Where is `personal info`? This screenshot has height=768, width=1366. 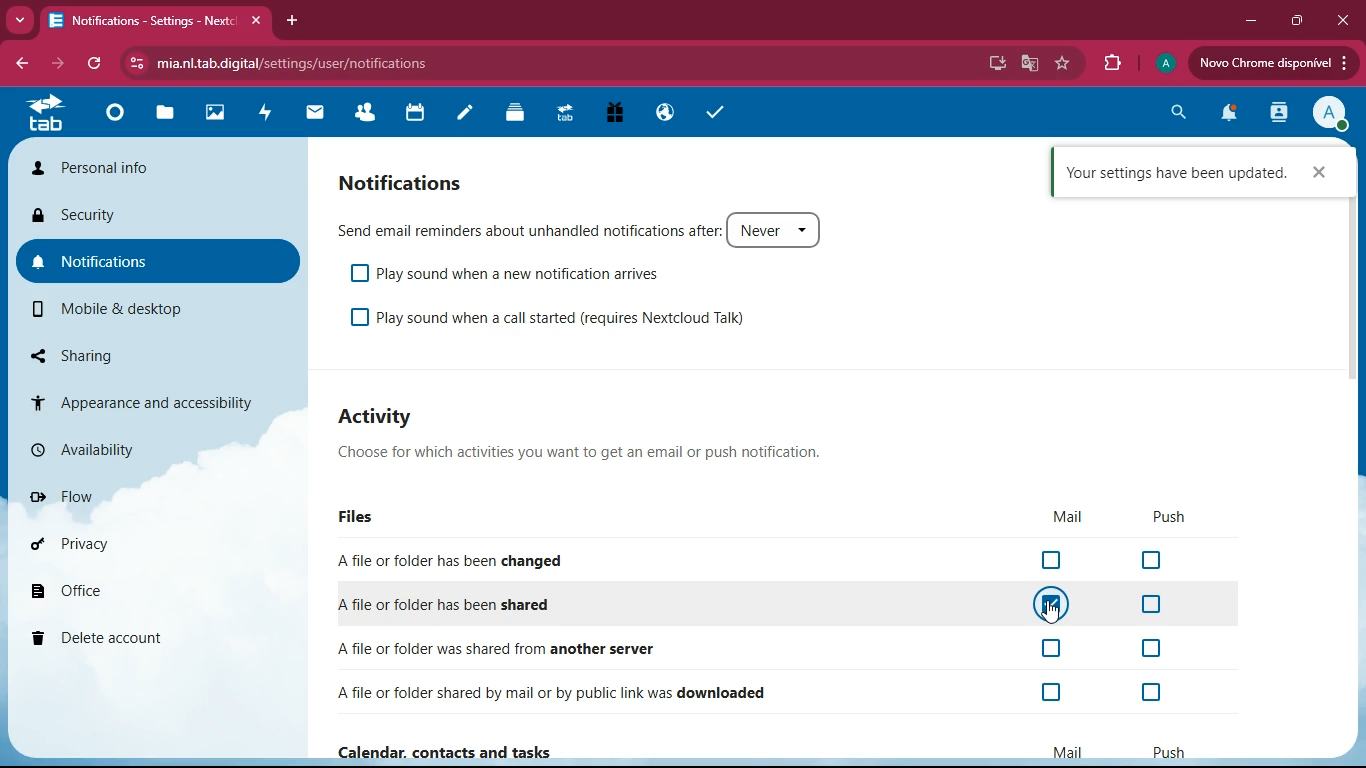
personal info is located at coordinates (152, 166).